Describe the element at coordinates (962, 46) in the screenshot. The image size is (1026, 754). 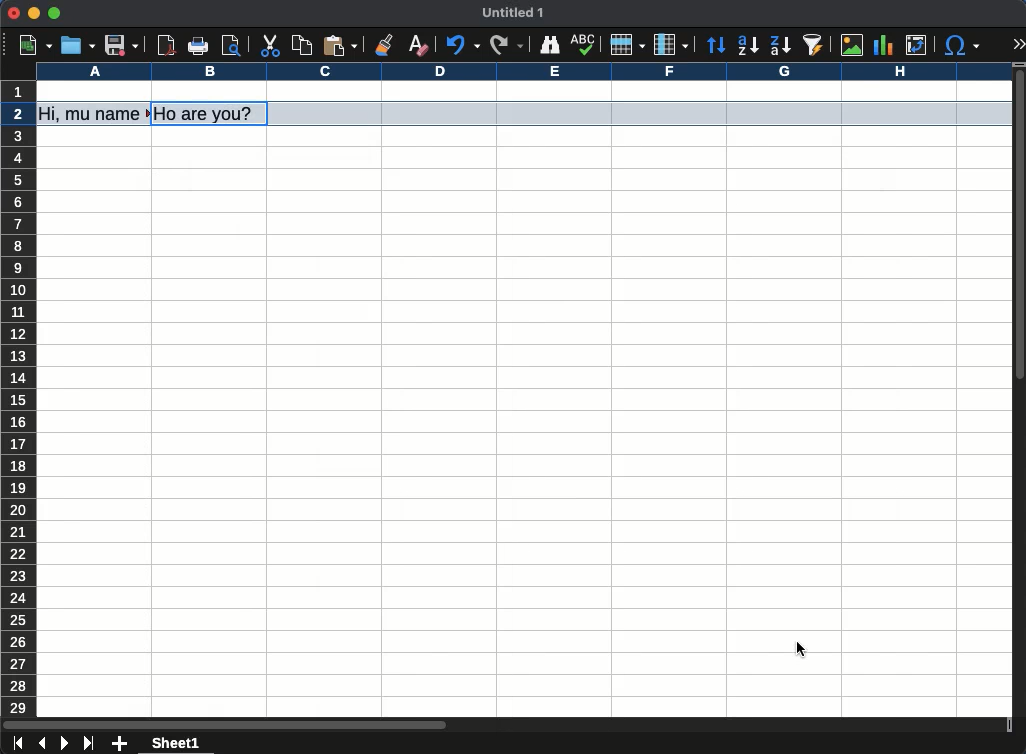
I see `special character` at that location.